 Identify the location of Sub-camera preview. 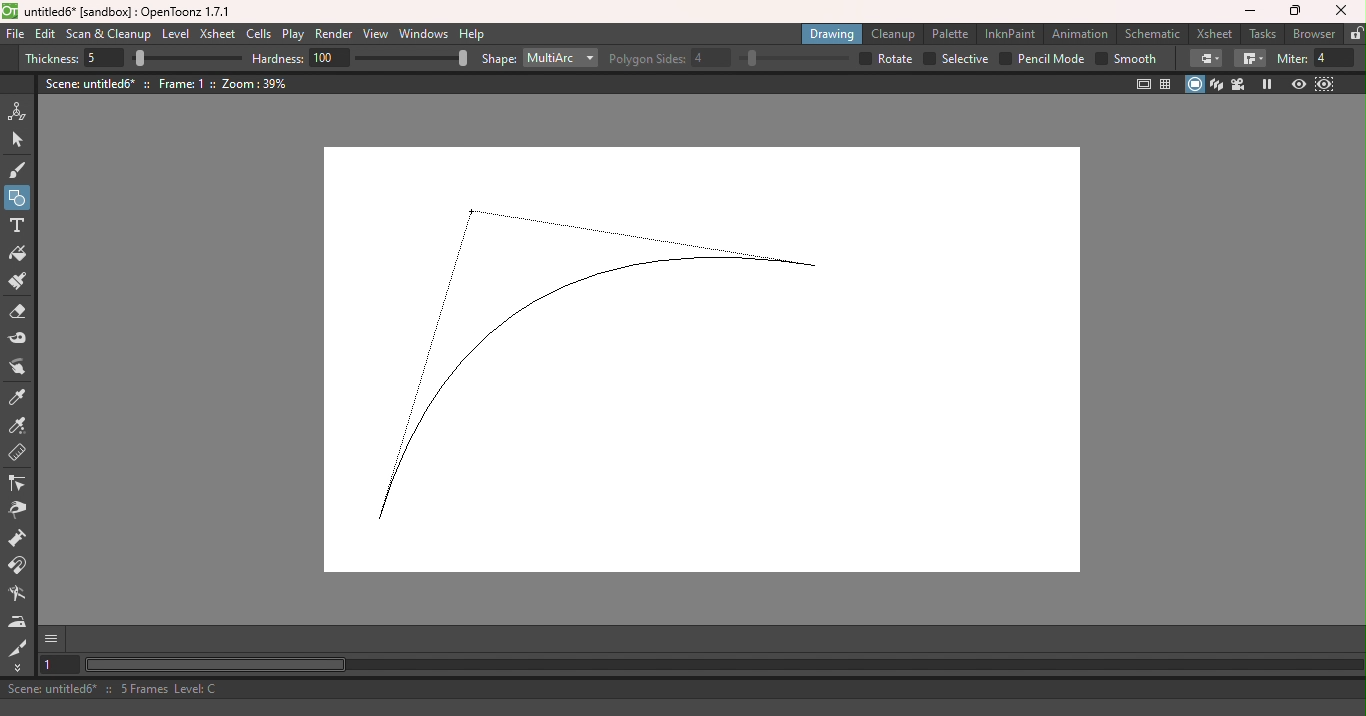
(1324, 85).